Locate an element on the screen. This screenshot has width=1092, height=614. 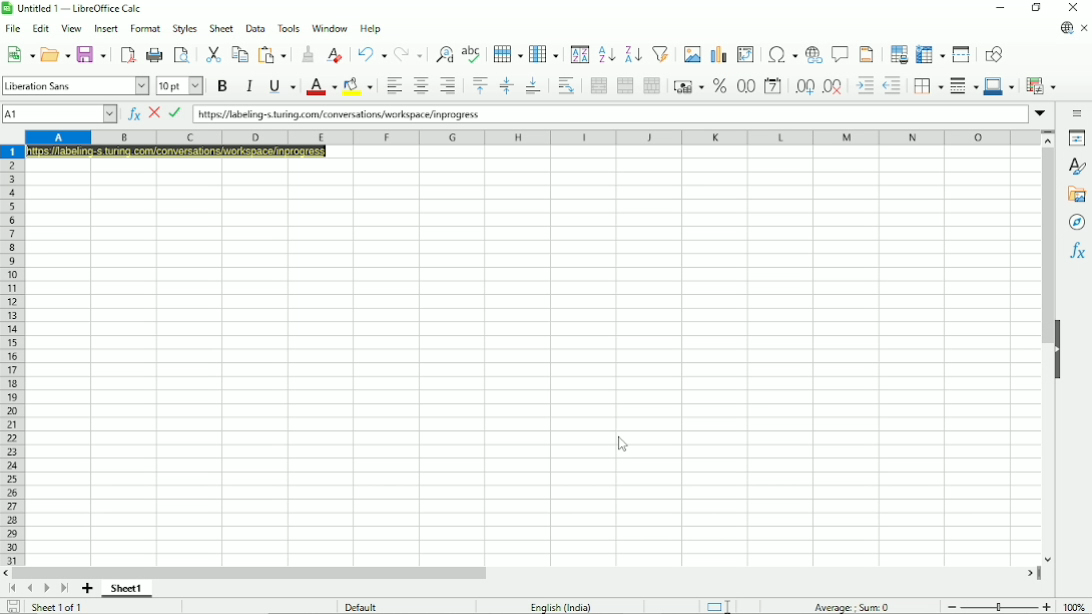
Font size is located at coordinates (181, 85).